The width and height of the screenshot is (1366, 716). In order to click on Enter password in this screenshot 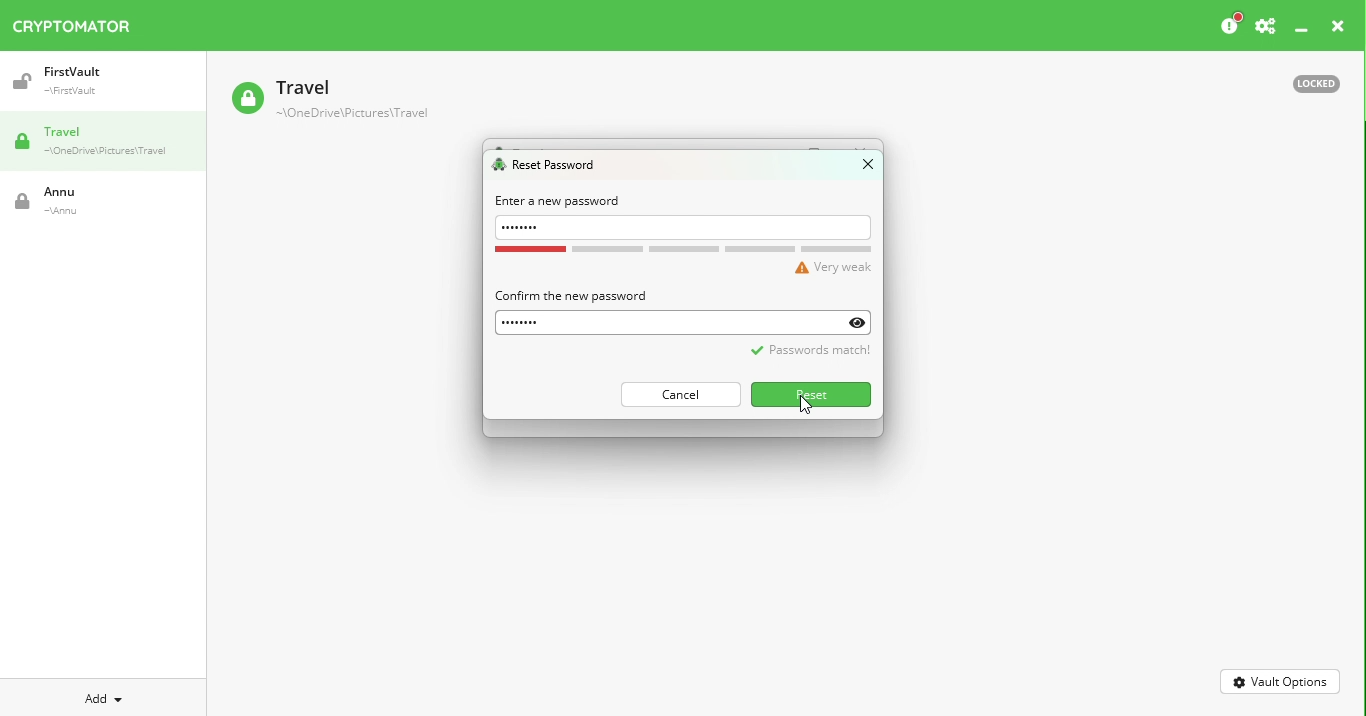, I will do `click(689, 321)`.